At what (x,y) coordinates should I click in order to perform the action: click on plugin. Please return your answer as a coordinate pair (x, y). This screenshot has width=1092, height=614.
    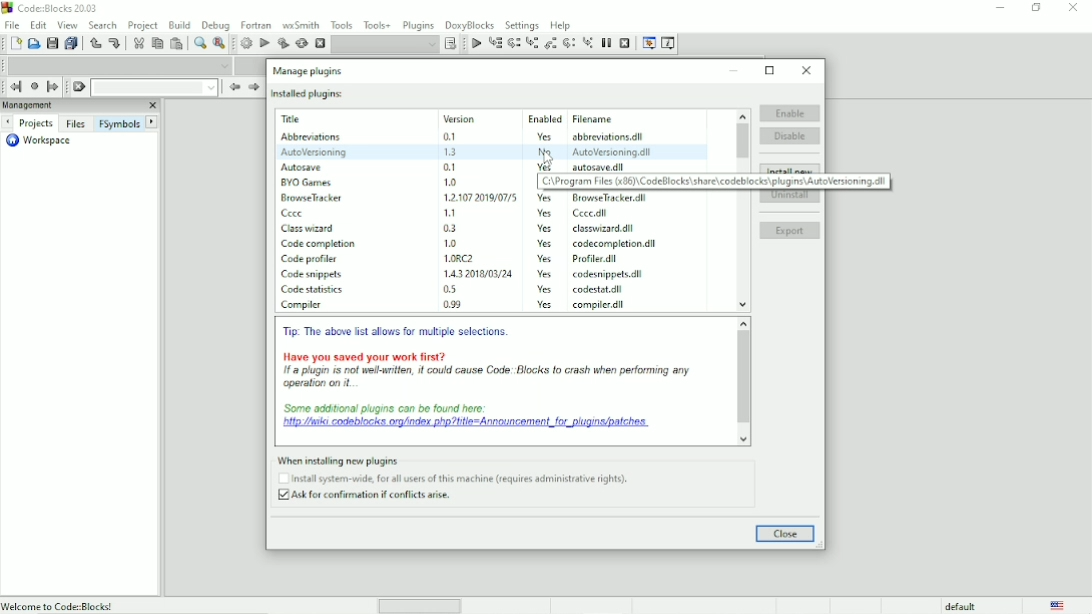
    Looking at the image, I should click on (306, 181).